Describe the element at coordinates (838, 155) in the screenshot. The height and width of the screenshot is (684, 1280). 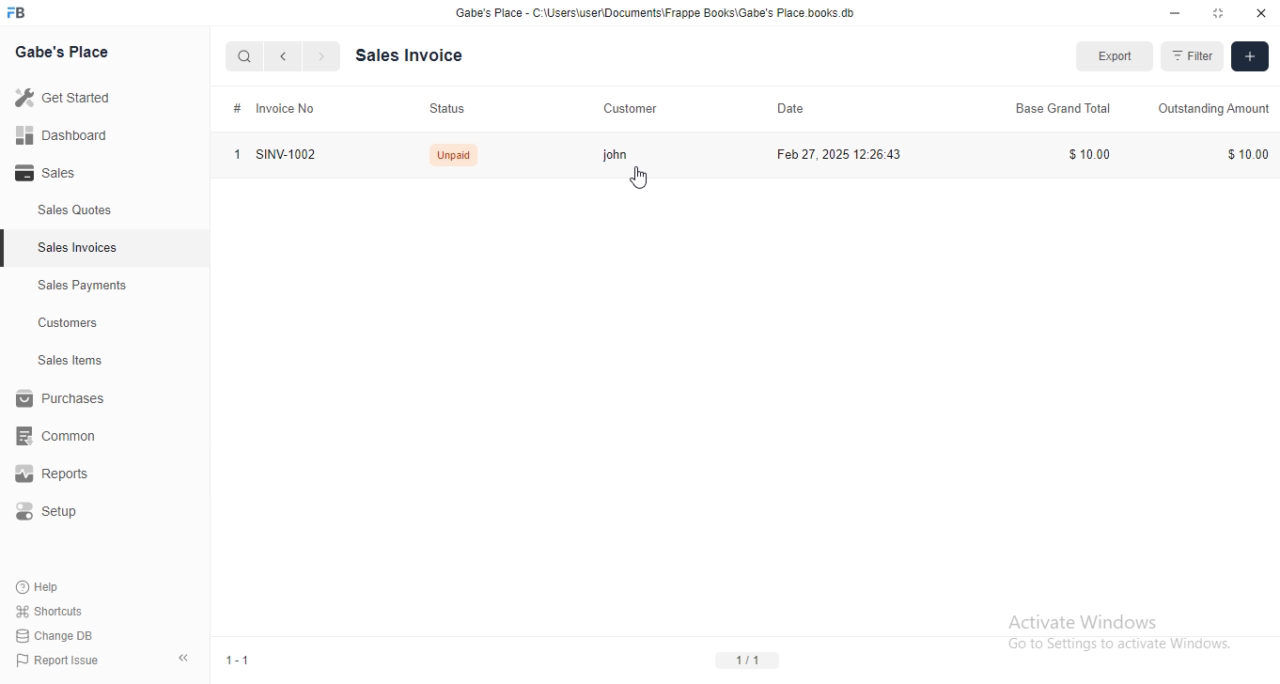
I see `feb 27, 2025 12:26:43` at that location.